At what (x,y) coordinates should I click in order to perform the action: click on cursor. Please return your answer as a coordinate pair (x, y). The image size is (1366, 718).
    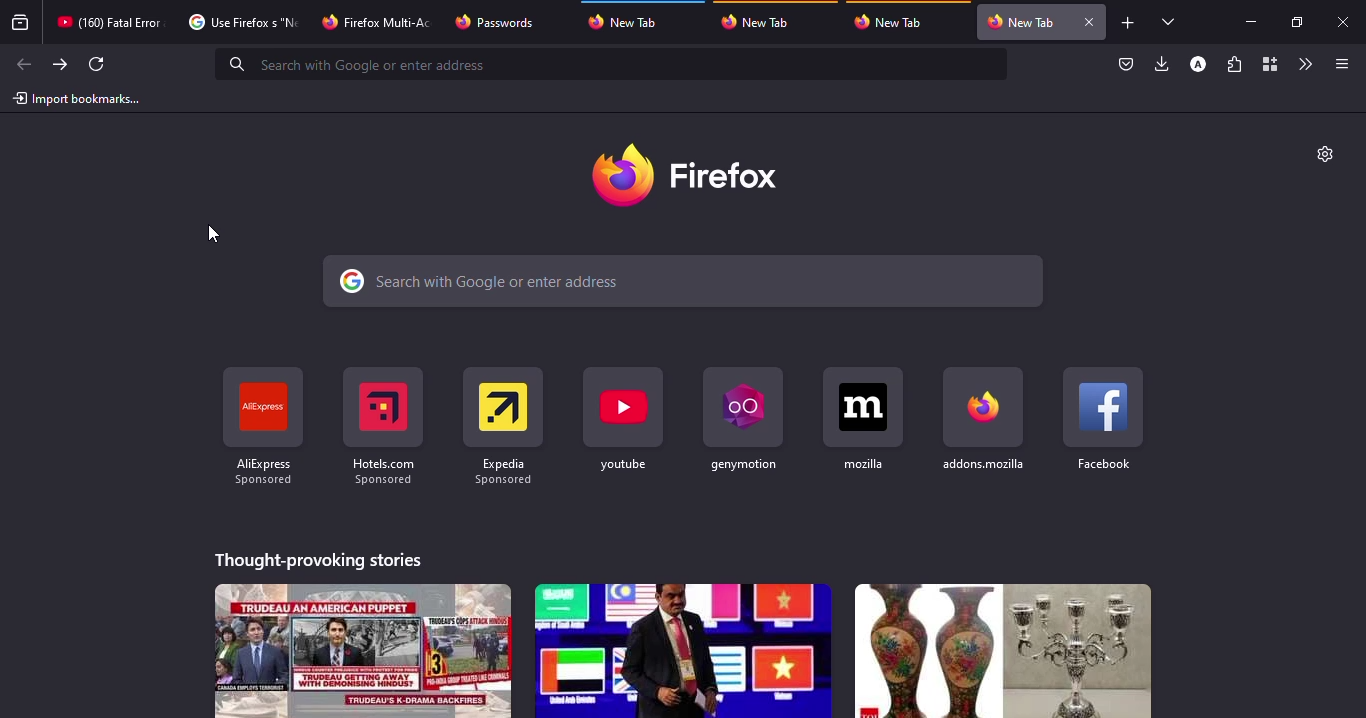
    Looking at the image, I should click on (214, 233).